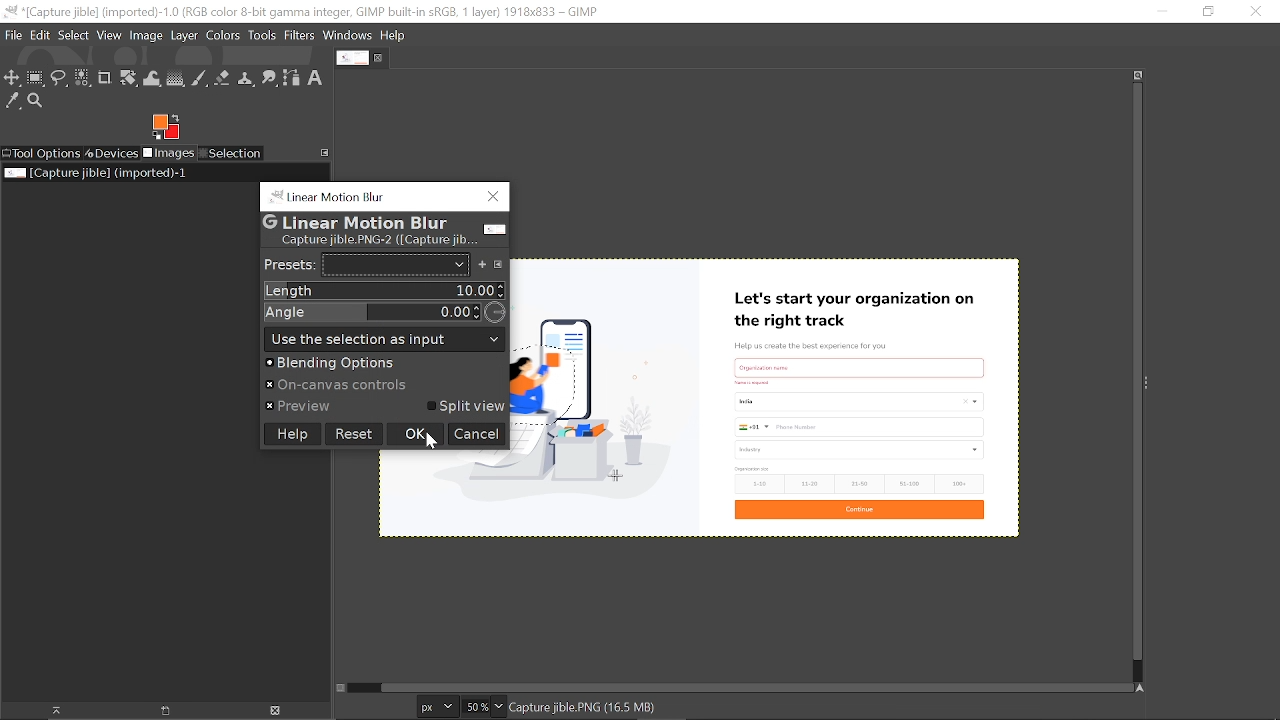 This screenshot has width=1280, height=720. What do you see at coordinates (326, 152) in the screenshot?
I see `Access this tab` at bounding box center [326, 152].